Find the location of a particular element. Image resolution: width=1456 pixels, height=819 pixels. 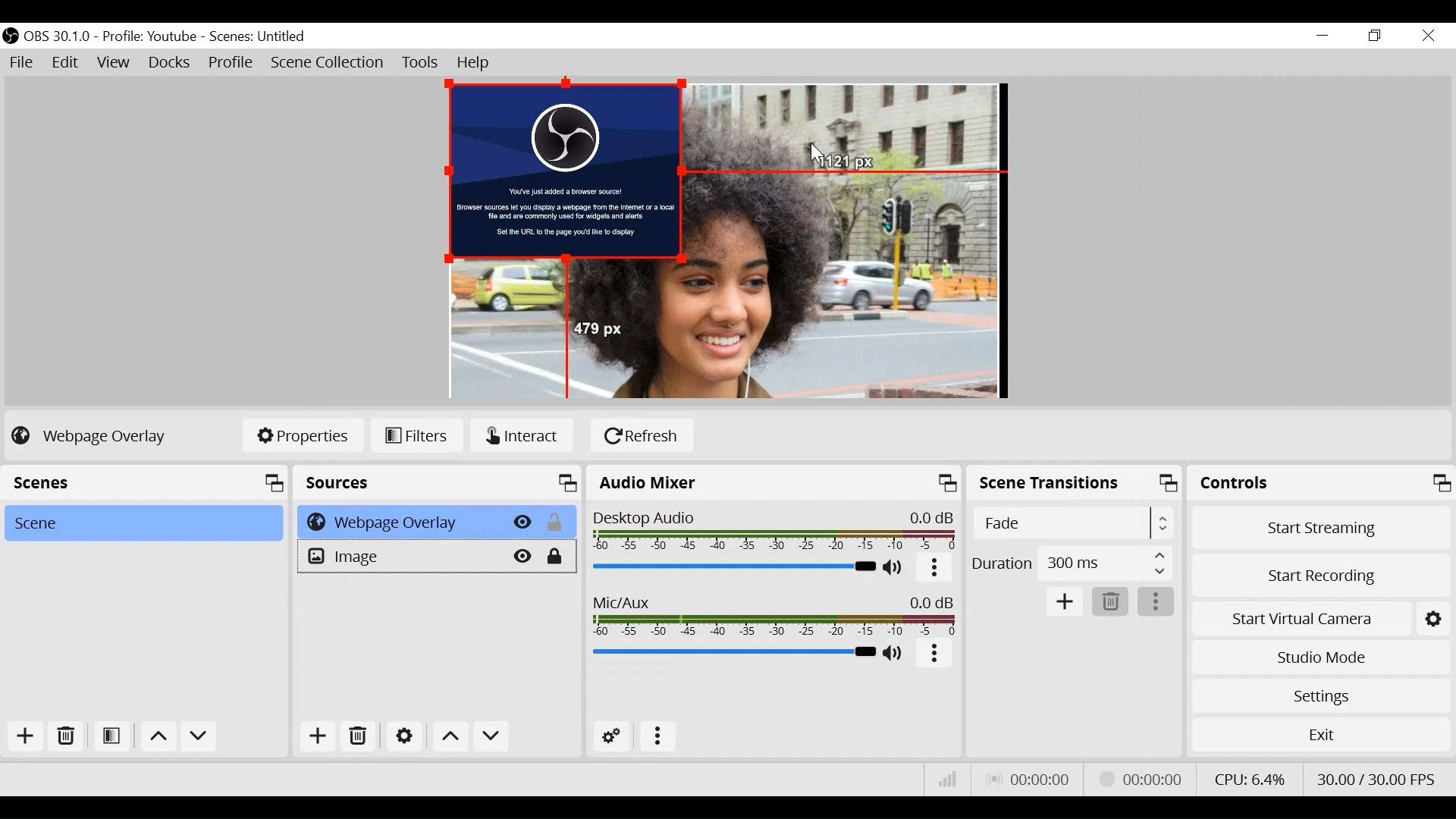

Delete is located at coordinates (1109, 602).